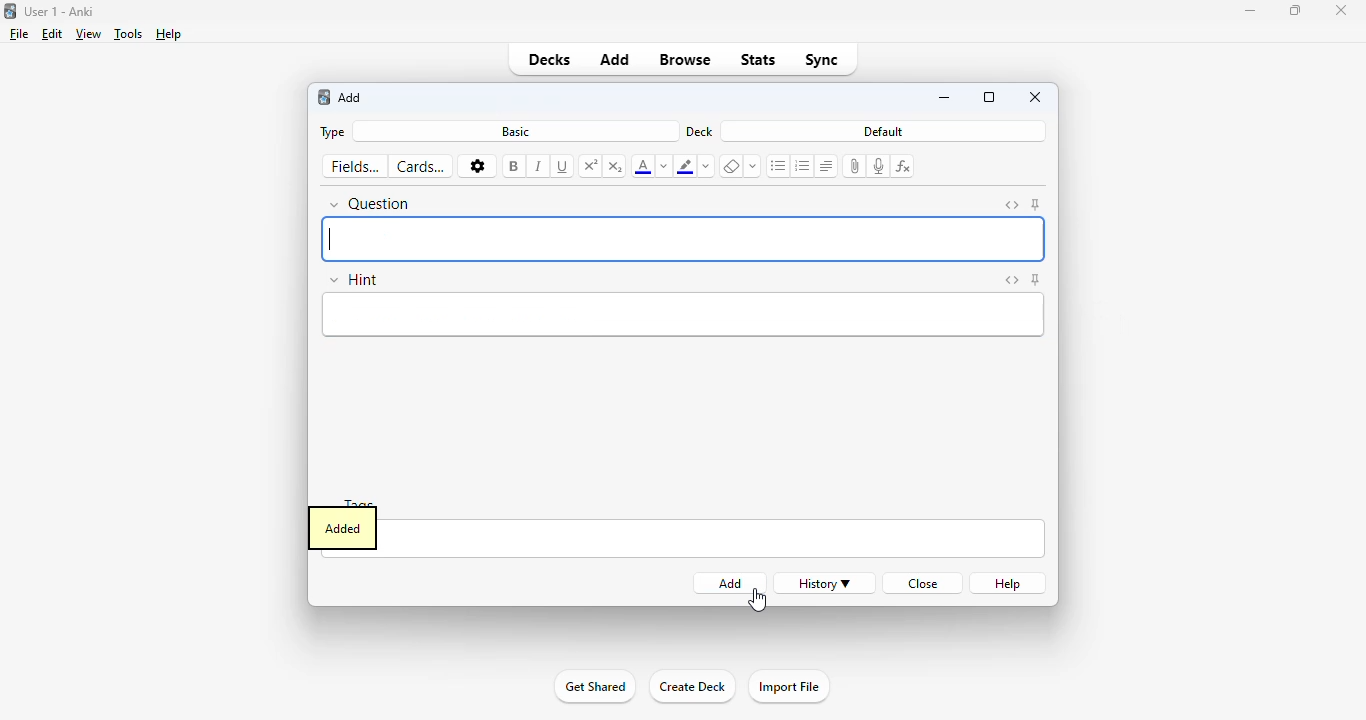 This screenshot has width=1366, height=720. Describe the element at coordinates (1342, 13) in the screenshot. I see `Close` at that location.